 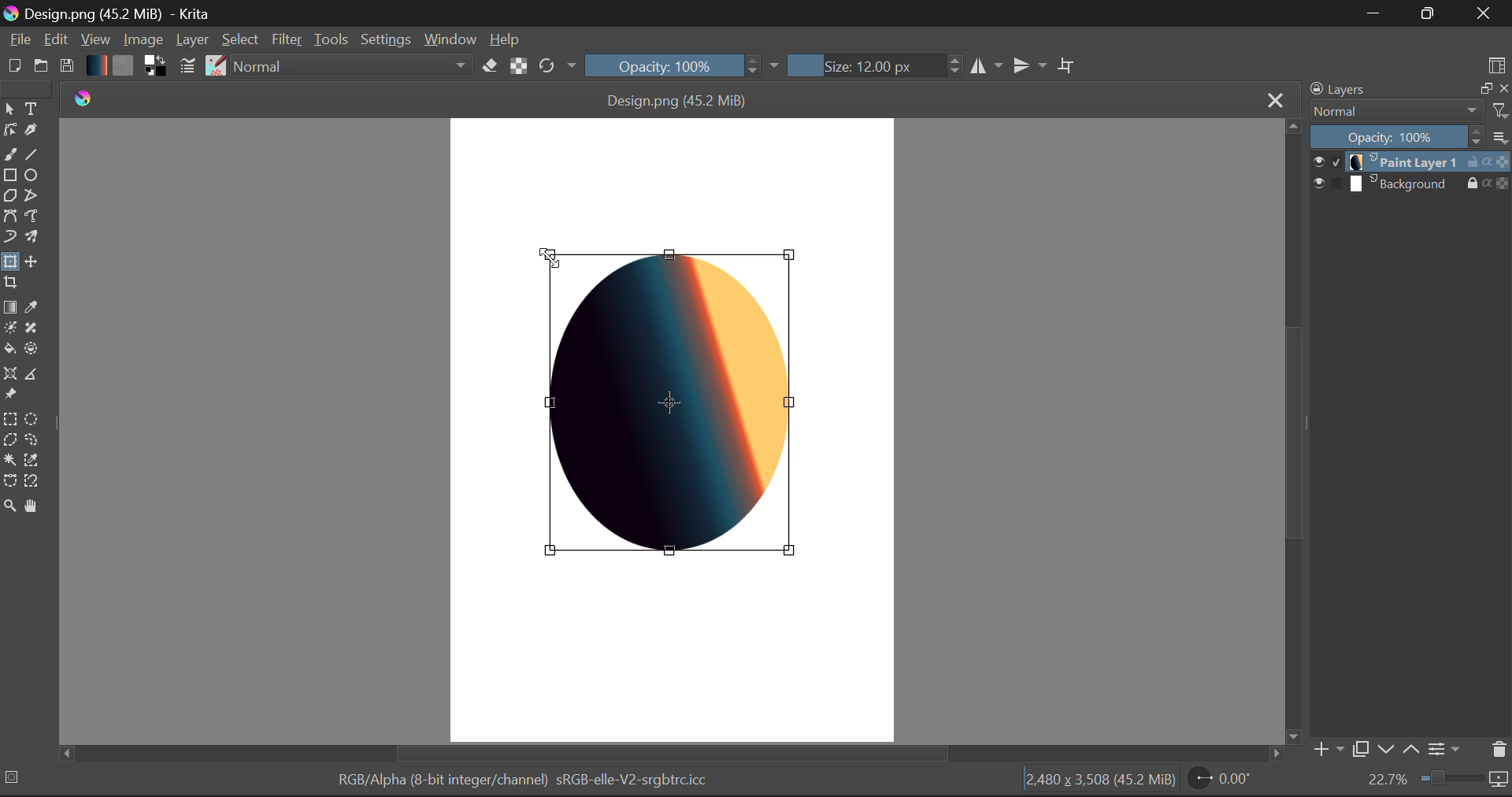 I want to click on Scroll Bar, so click(x=675, y=754).